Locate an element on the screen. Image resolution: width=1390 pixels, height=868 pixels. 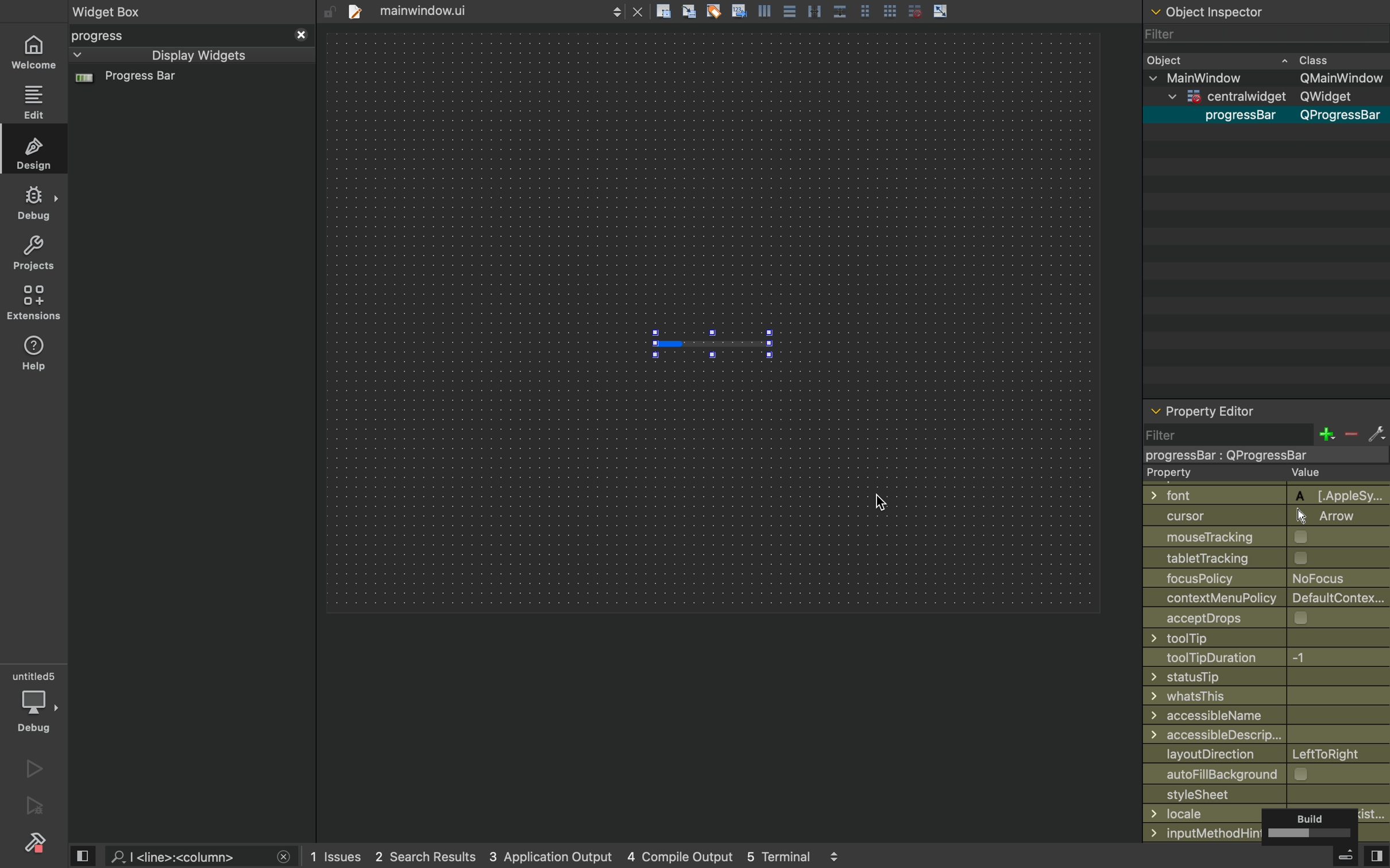
edit is located at coordinates (36, 152).